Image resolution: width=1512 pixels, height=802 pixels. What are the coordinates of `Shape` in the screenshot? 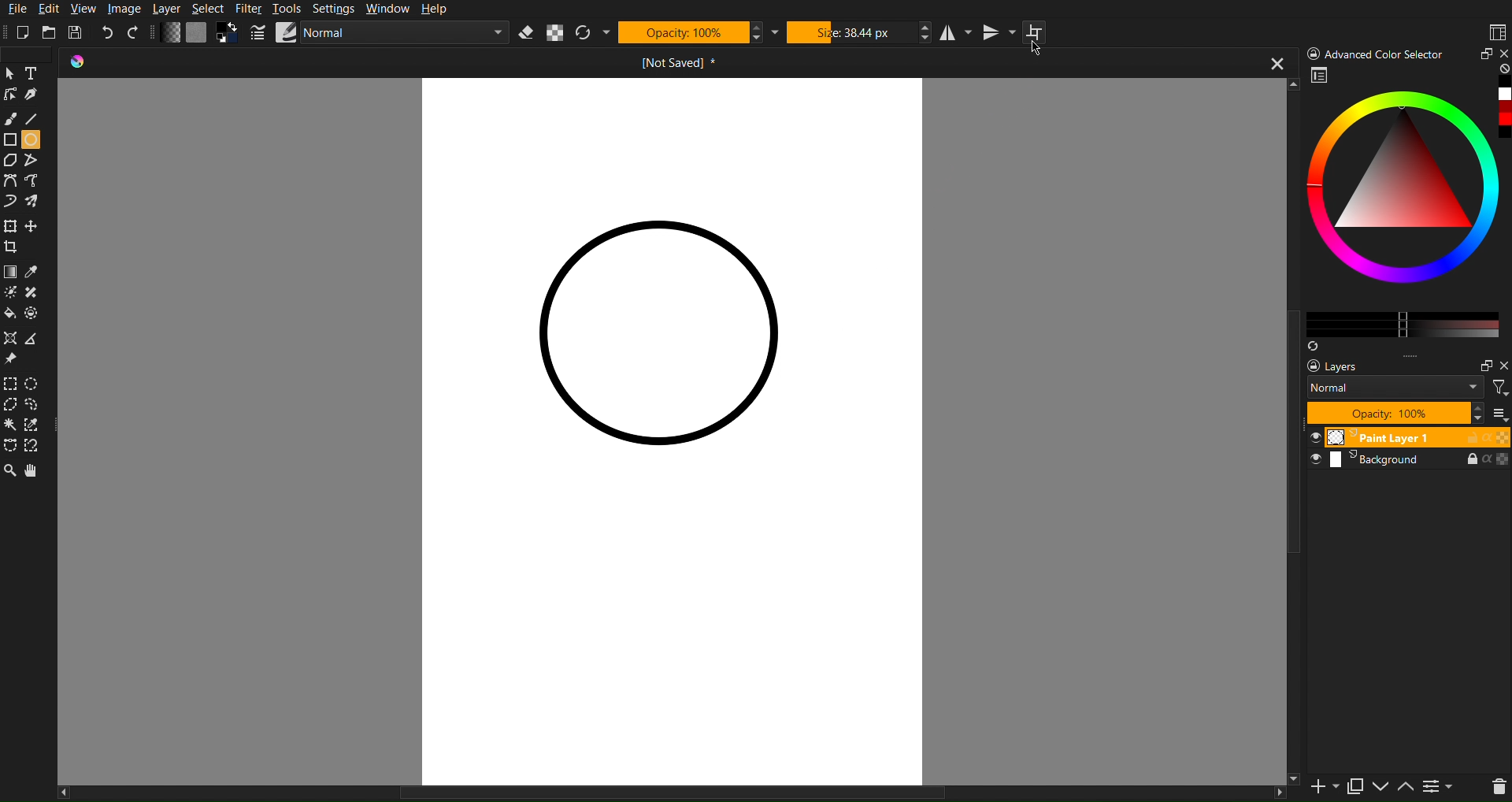 It's located at (9, 338).